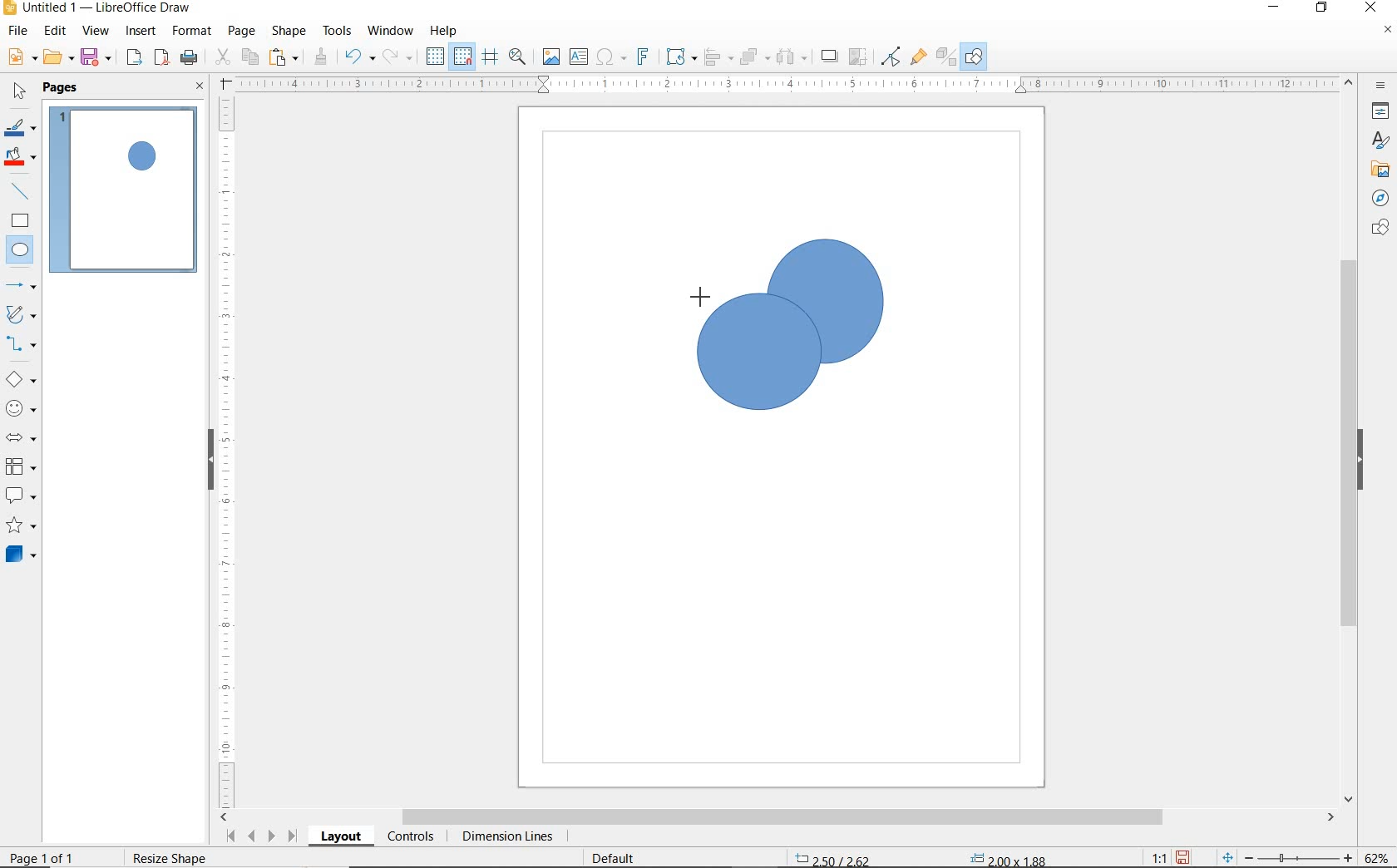 The image size is (1397, 868). Describe the element at coordinates (758, 358) in the screenshot. I see `DRAWING SECOND CIRCLE` at that location.